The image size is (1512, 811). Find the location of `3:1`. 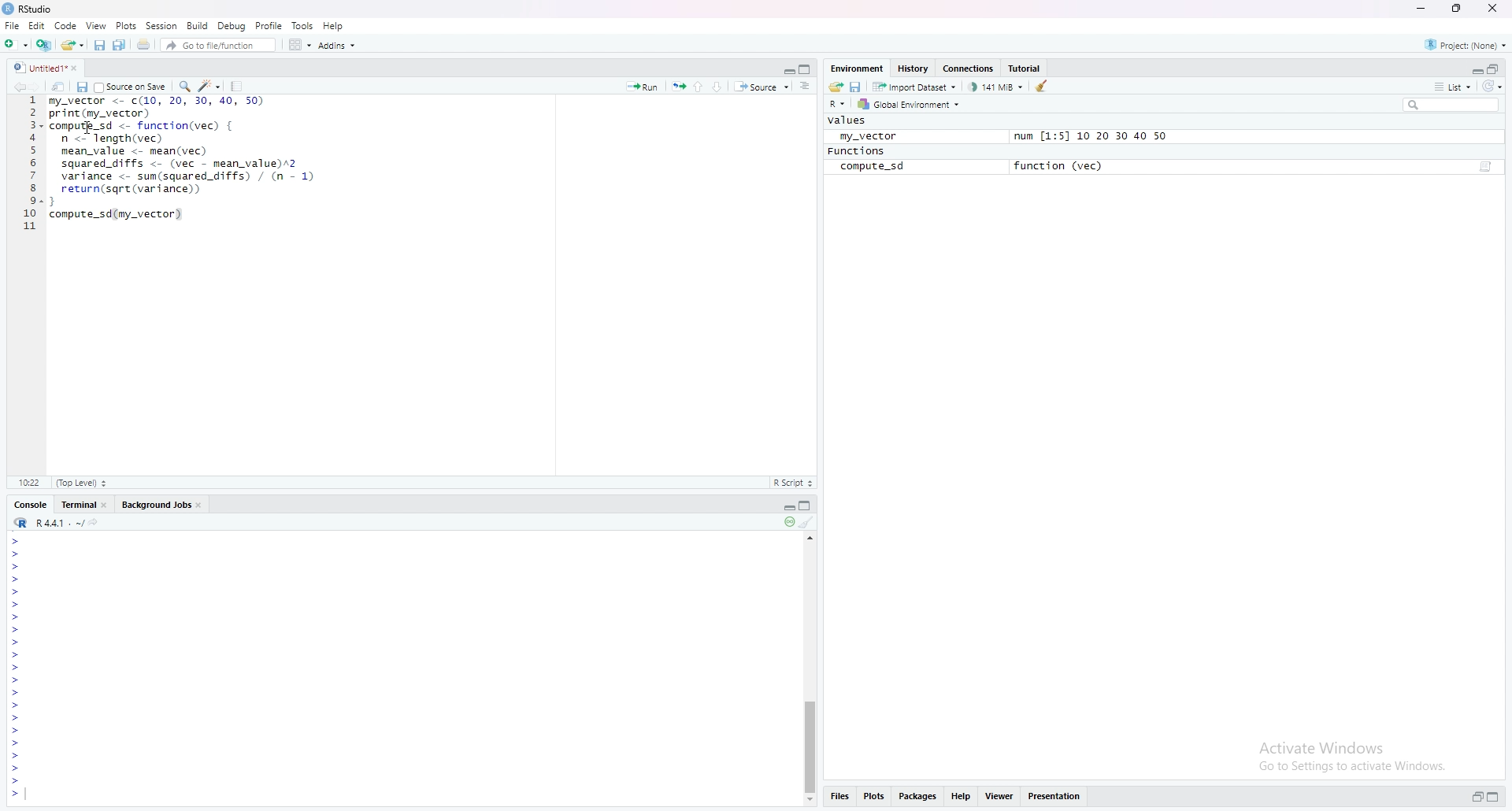

3:1 is located at coordinates (31, 482).